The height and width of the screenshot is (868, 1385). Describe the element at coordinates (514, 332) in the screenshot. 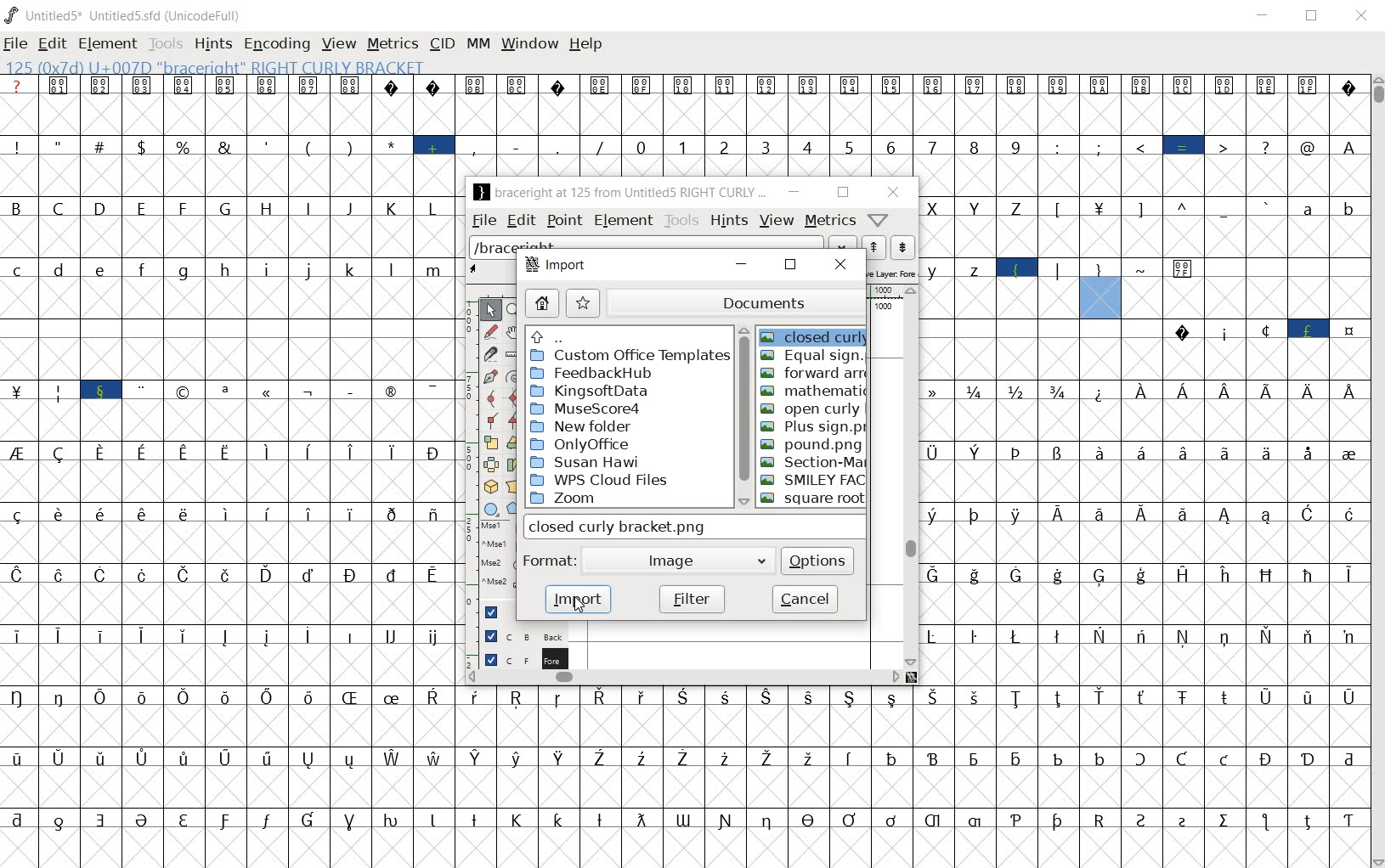

I see `scroll by hand` at that location.